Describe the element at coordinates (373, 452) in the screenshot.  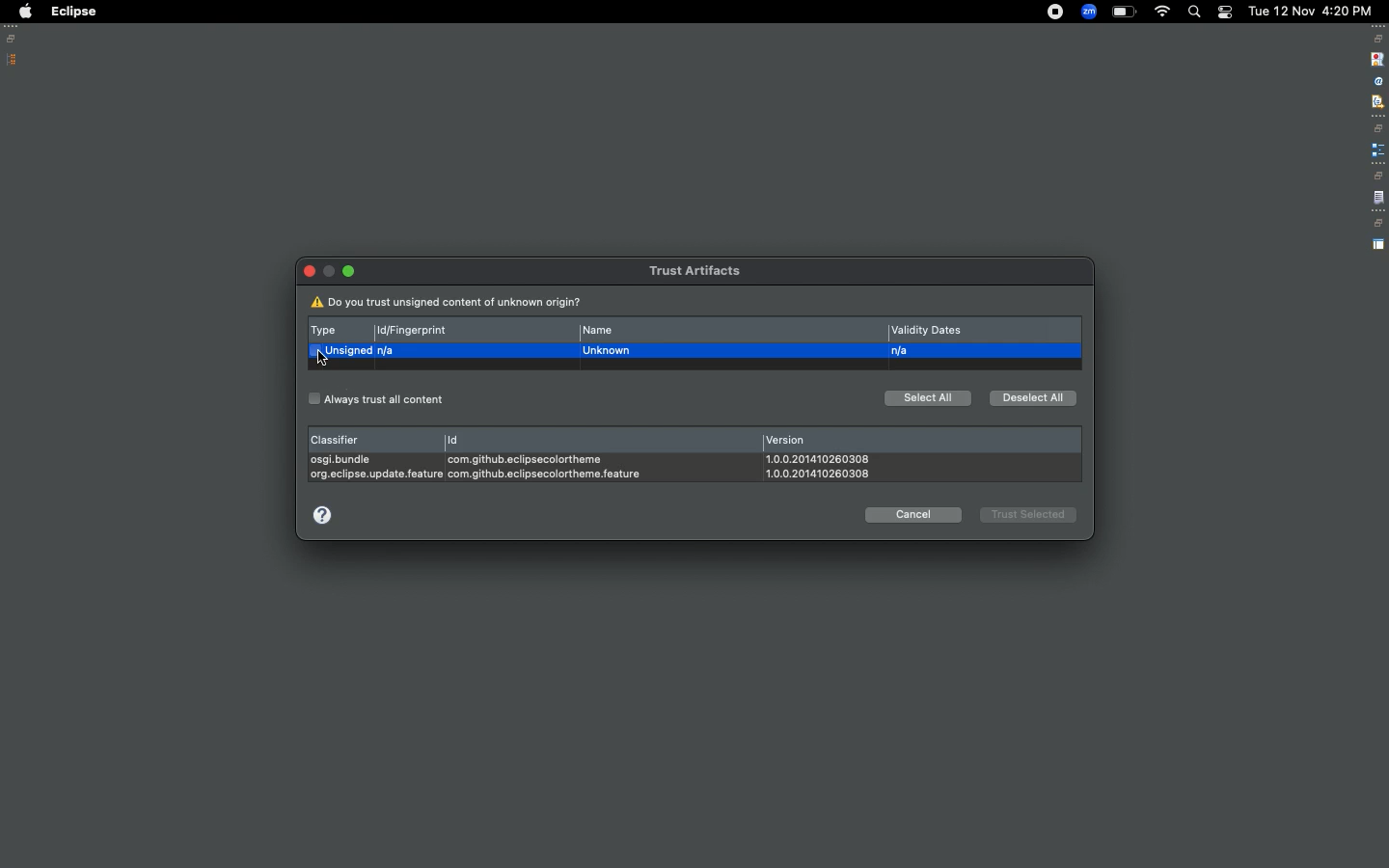
I see `Classifier` at that location.